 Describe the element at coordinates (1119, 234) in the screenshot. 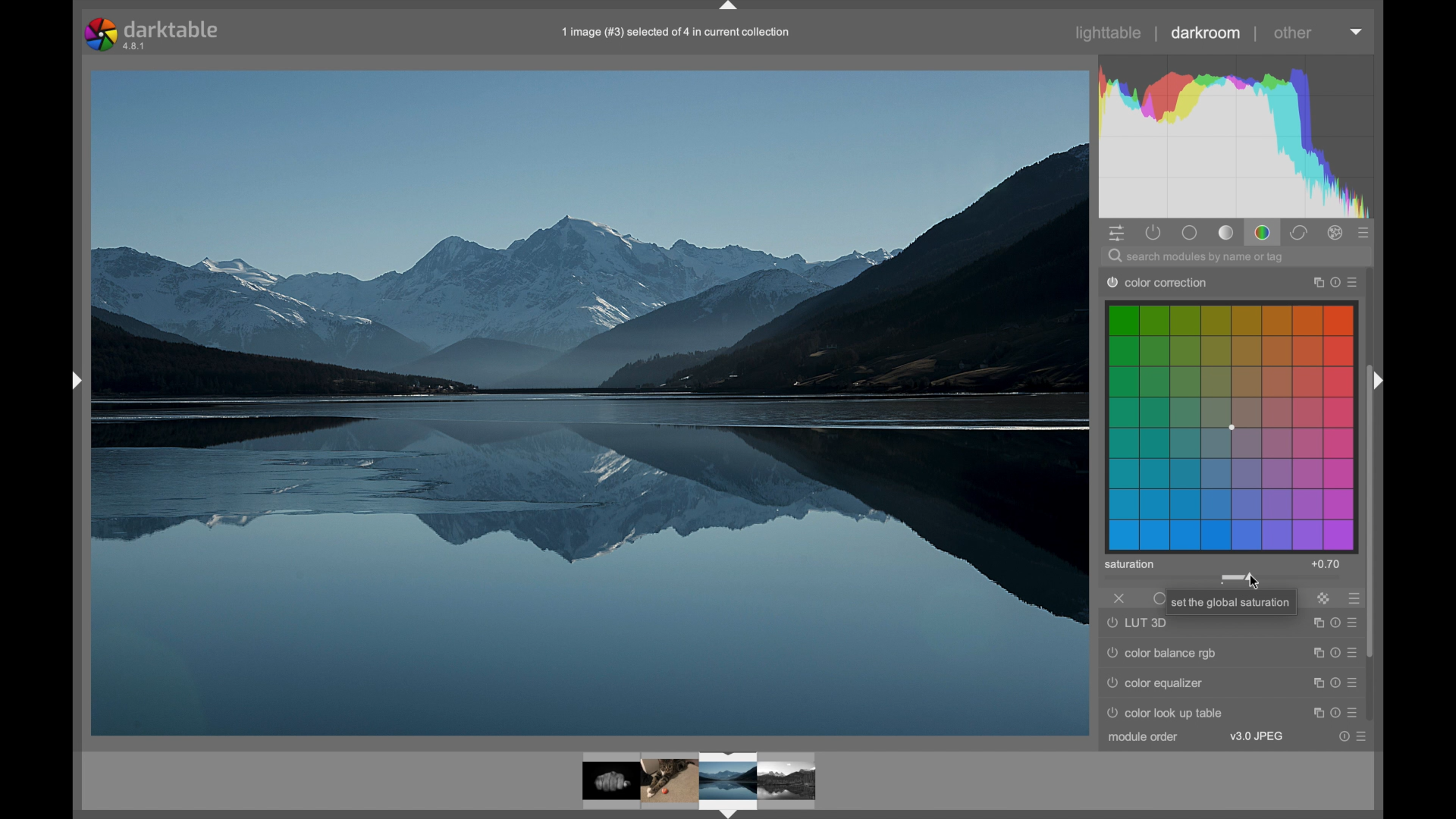

I see `quick access panel` at that location.